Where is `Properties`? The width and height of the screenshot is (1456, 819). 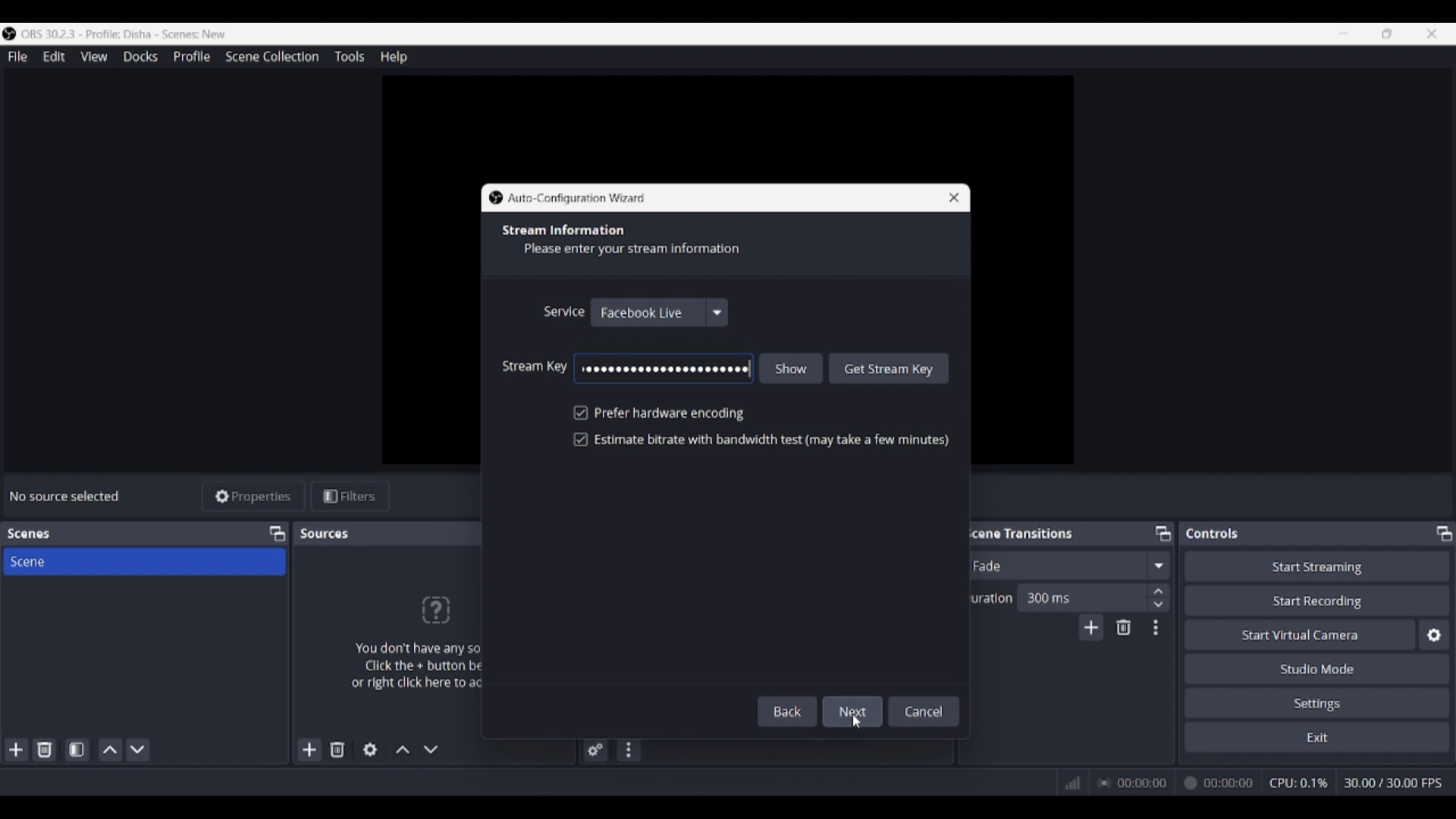 Properties is located at coordinates (254, 497).